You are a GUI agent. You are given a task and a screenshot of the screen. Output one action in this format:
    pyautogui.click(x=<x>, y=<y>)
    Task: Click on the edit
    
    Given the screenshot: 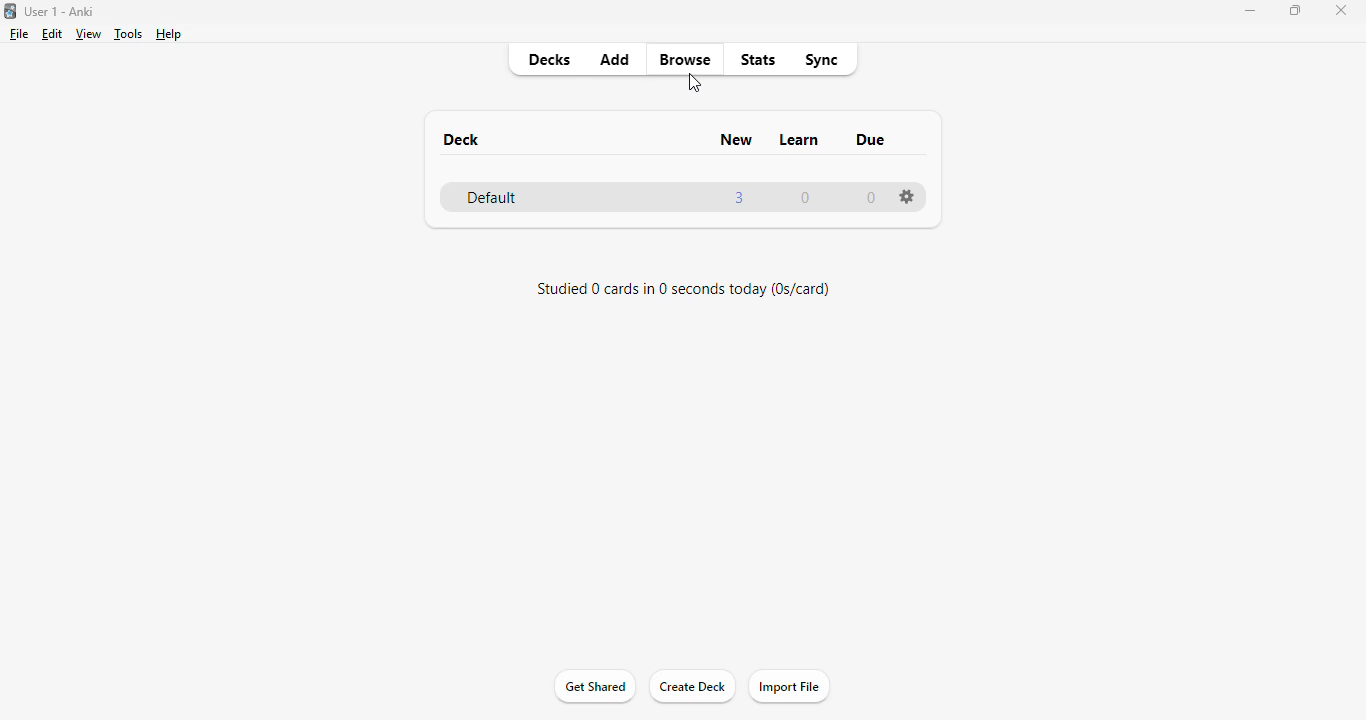 What is the action you would take?
    pyautogui.click(x=53, y=35)
    